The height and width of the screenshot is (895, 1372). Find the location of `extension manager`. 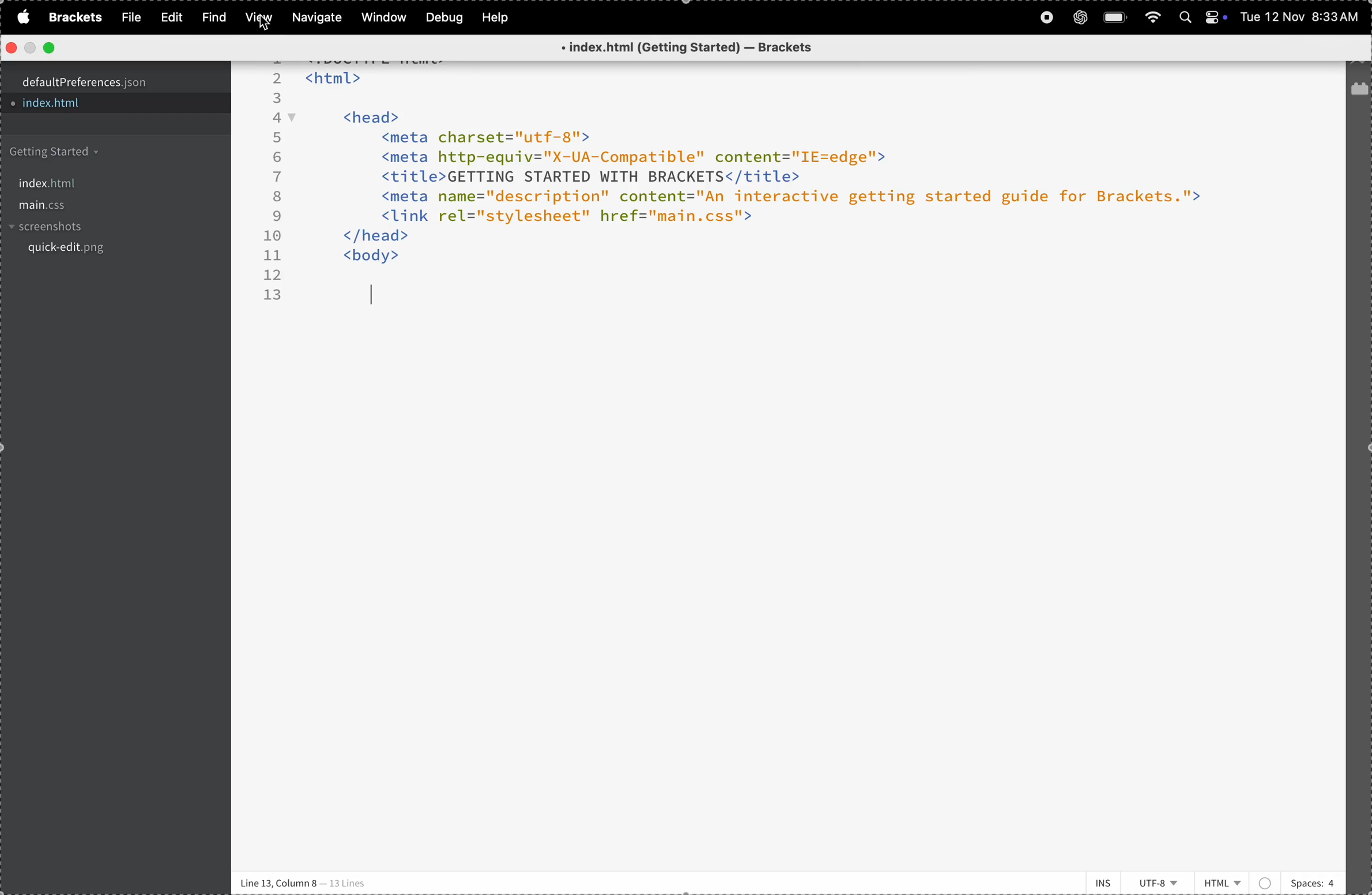

extension manager is located at coordinates (1359, 92).